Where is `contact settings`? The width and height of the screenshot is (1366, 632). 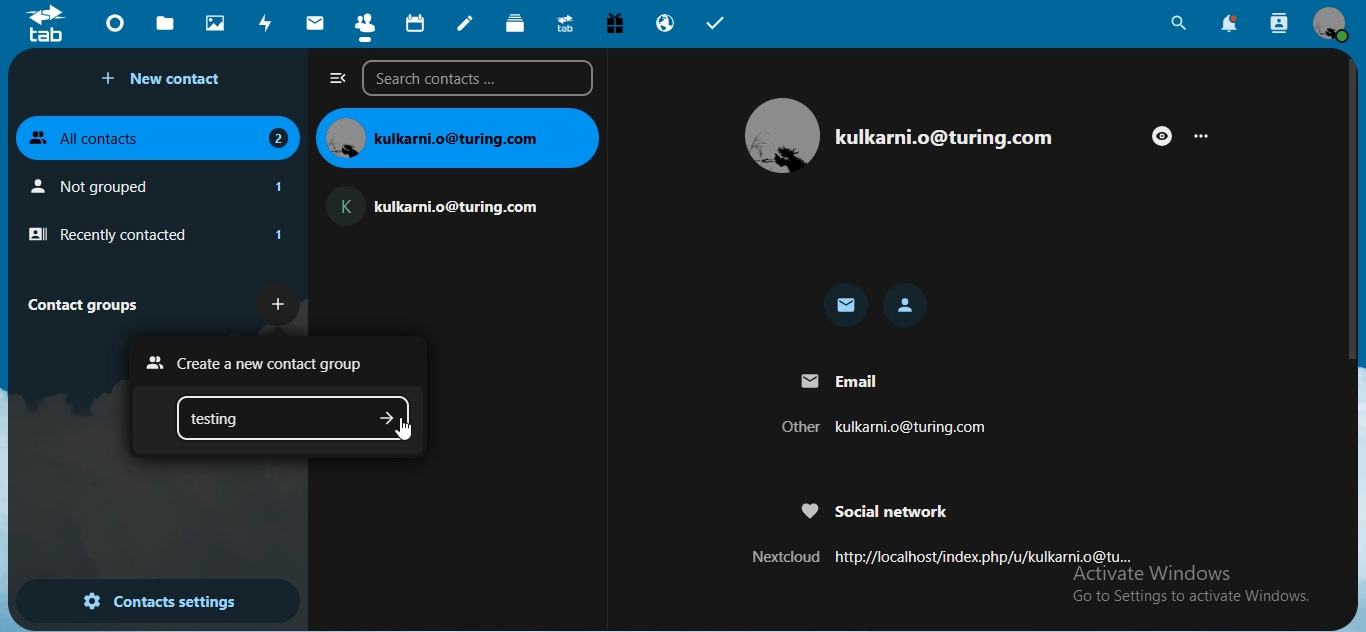
contact settings is located at coordinates (159, 603).